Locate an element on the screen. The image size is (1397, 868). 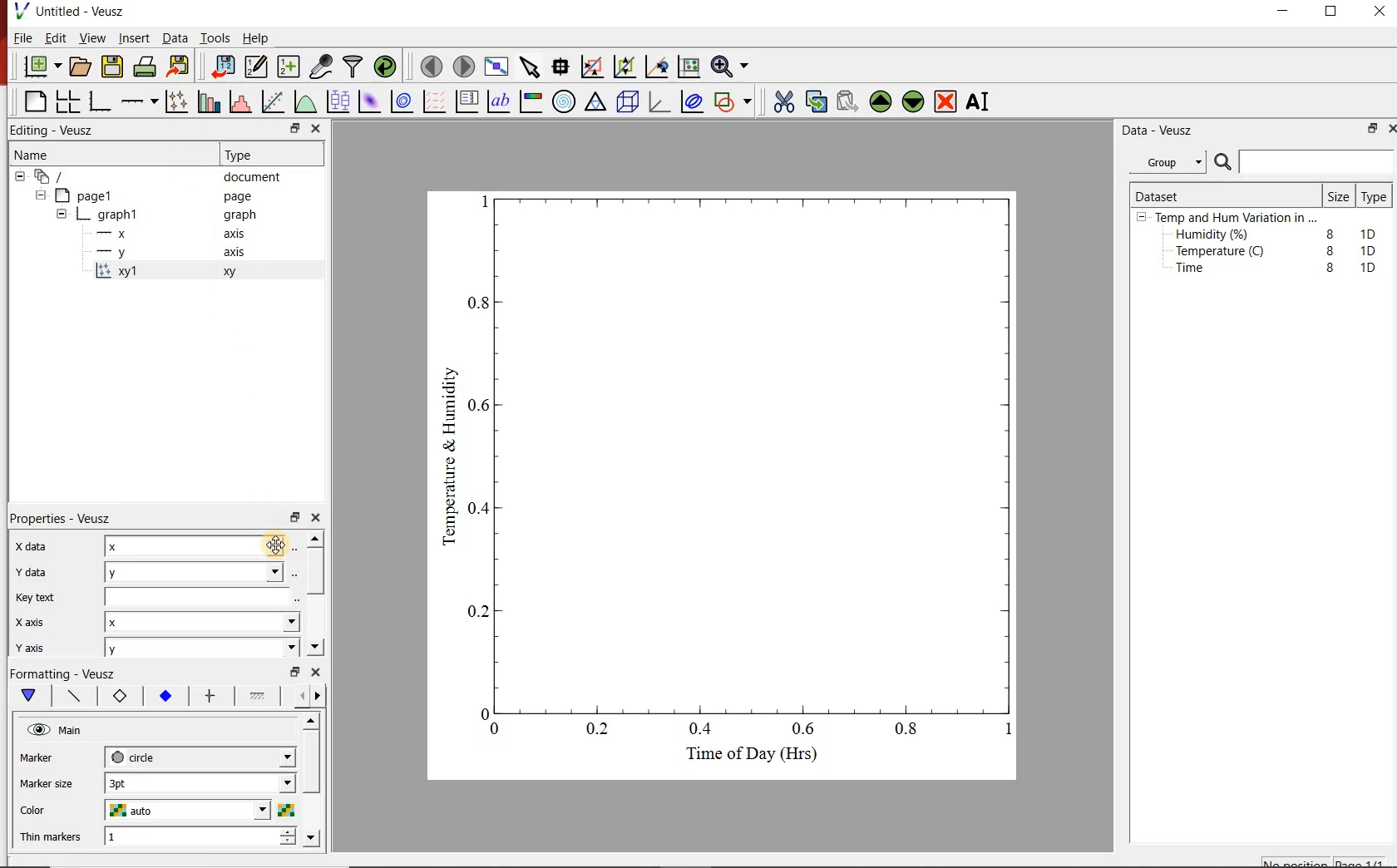
Marker size dropdown is located at coordinates (249, 784).